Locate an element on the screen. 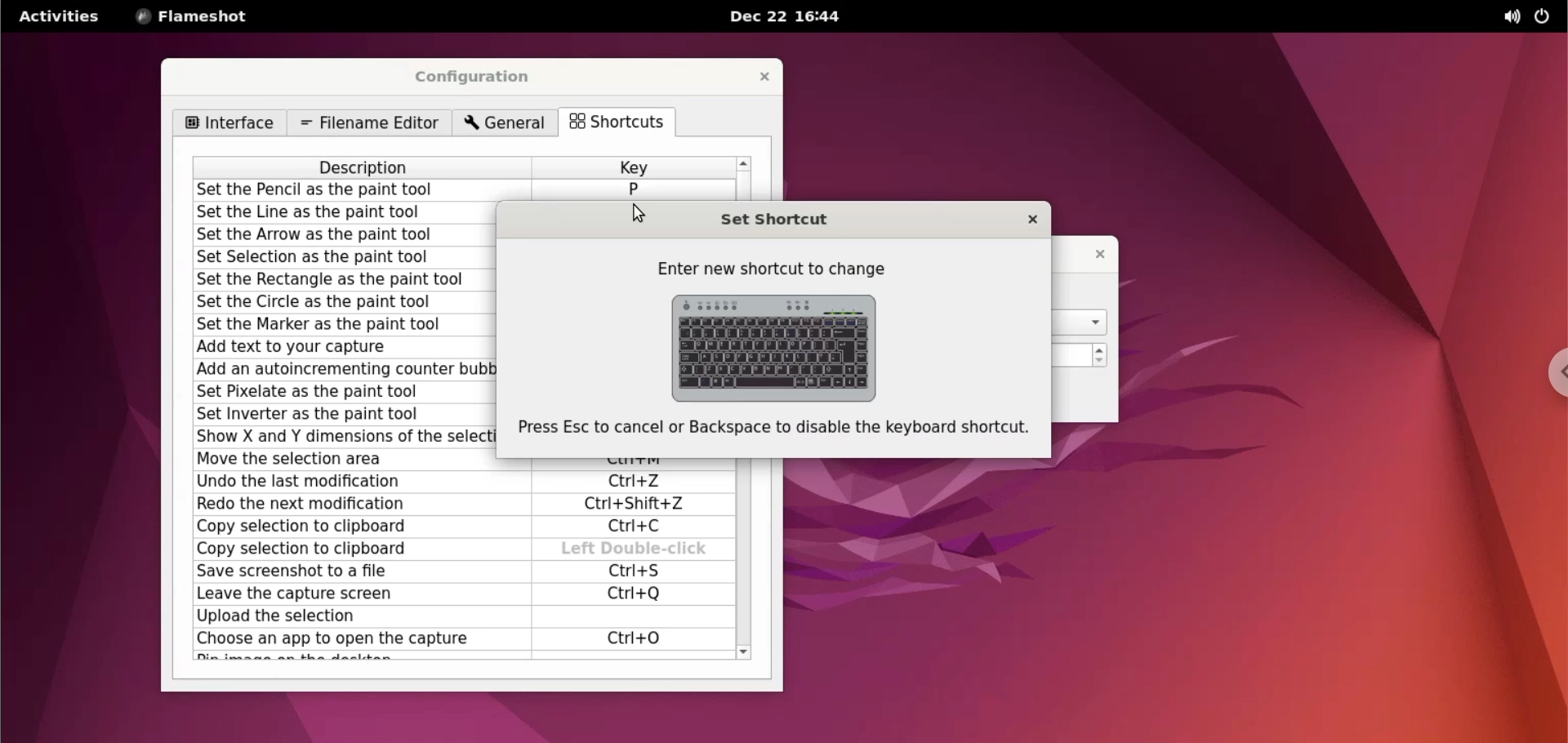  Ctrl + Z is located at coordinates (635, 482).